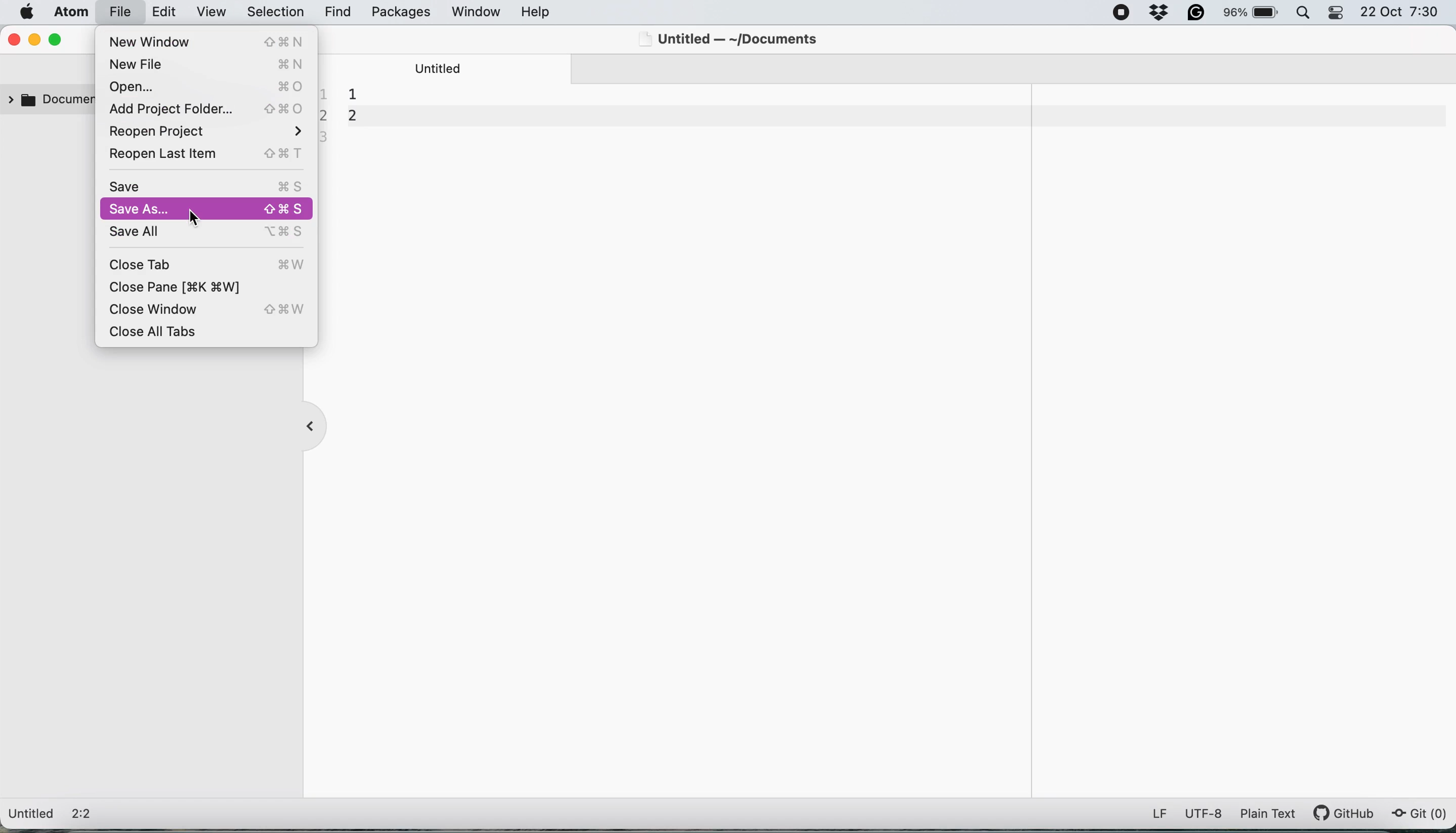 This screenshot has height=833, width=1456. What do you see at coordinates (155, 330) in the screenshot?
I see `Close All Tabs` at bounding box center [155, 330].